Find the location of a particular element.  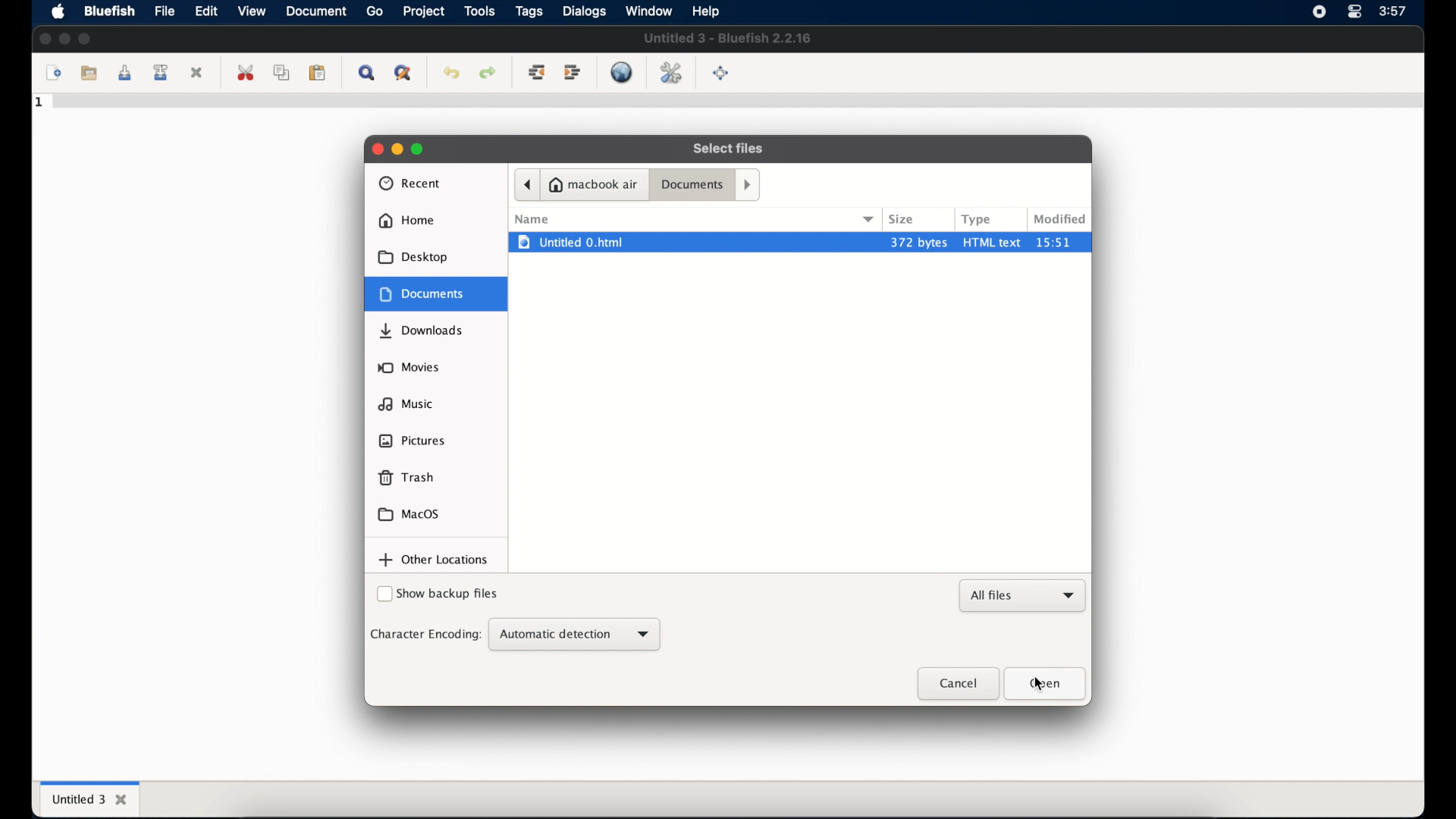

Untitled 0.html is located at coordinates (692, 242).